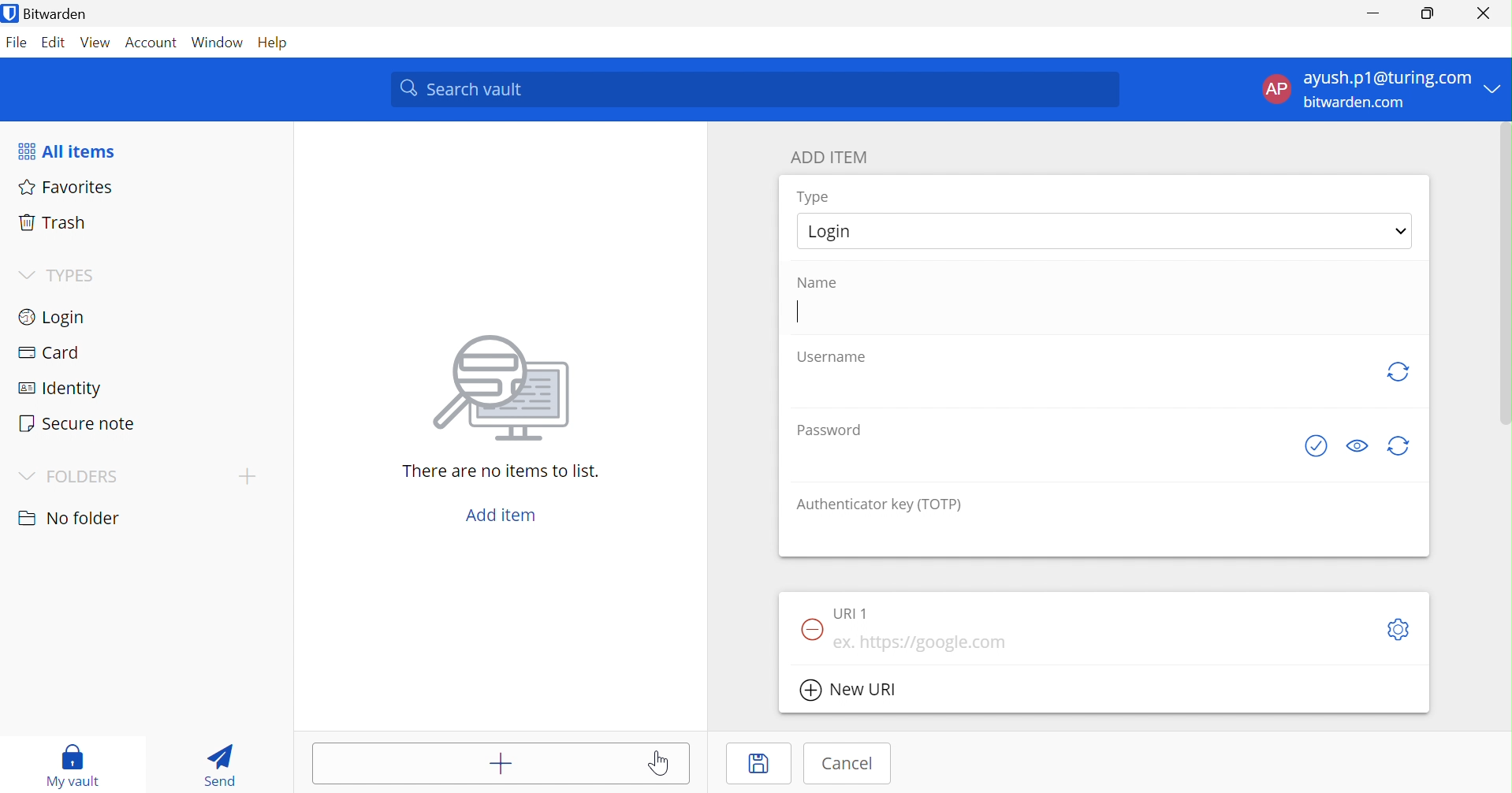 This screenshot has width=1512, height=793. What do you see at coordinates (224, 764) in the screenshot?
I see `Send` at bounding box center [224, 764].